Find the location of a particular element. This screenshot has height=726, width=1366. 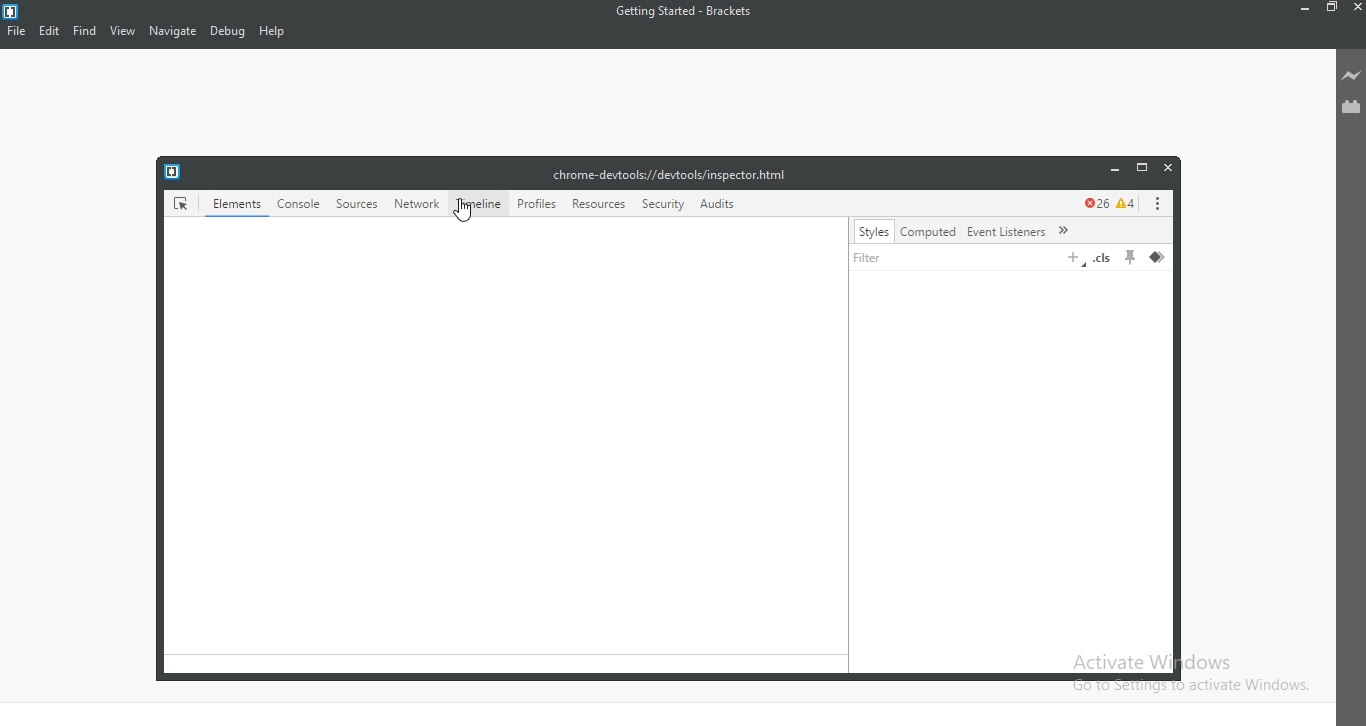

logo is located at coordinates (10, 13).